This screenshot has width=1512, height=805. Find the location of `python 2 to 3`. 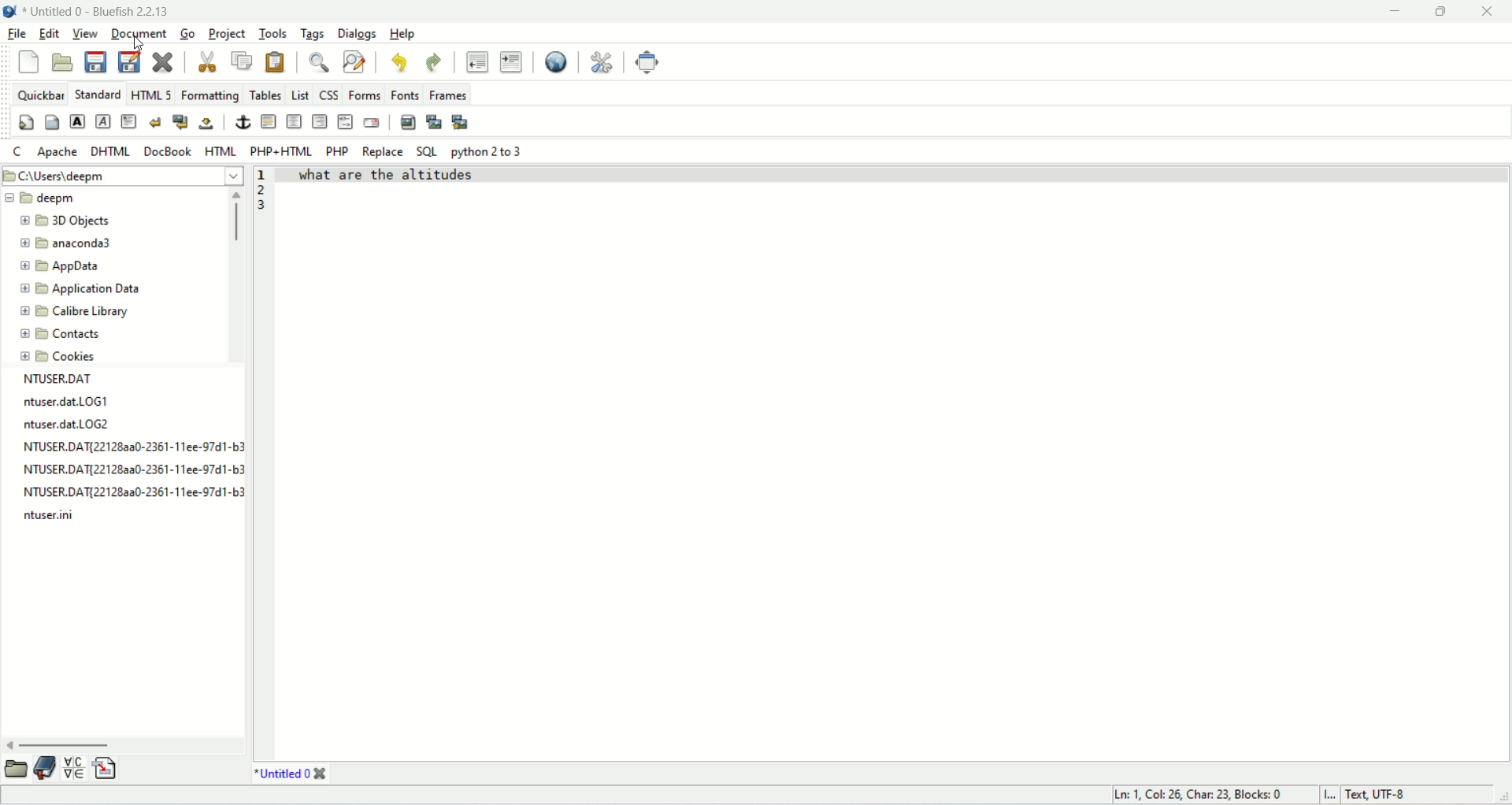

python 2 to 3 is located at coordinates (487, 152).